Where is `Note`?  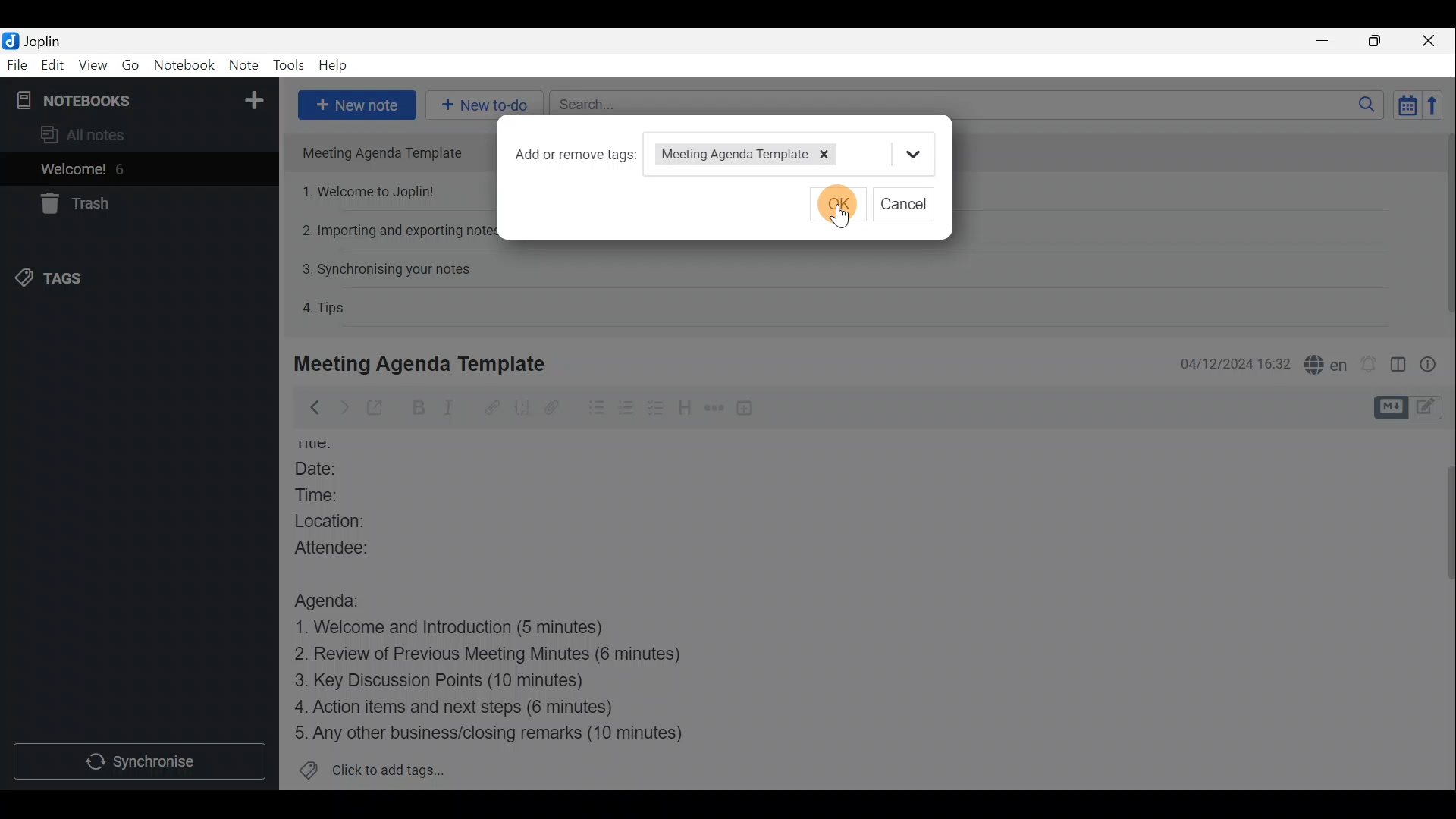
Note is located at coordinates (242, 62).